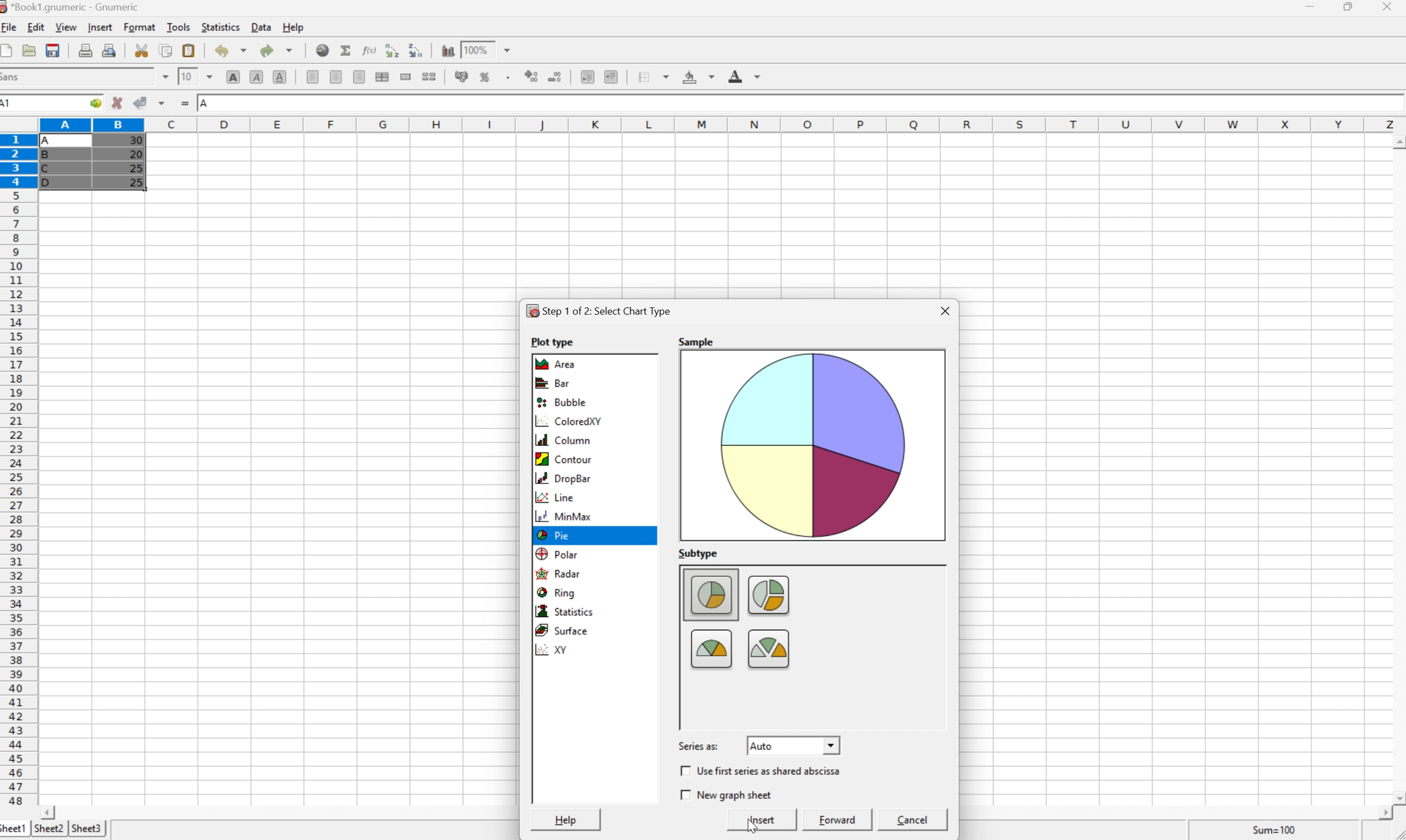 Image resolution: width=1406 pixels, height=840 pixels. Describe the element at coordinates (135, 168) in the screenshot. I see `25` at that location.